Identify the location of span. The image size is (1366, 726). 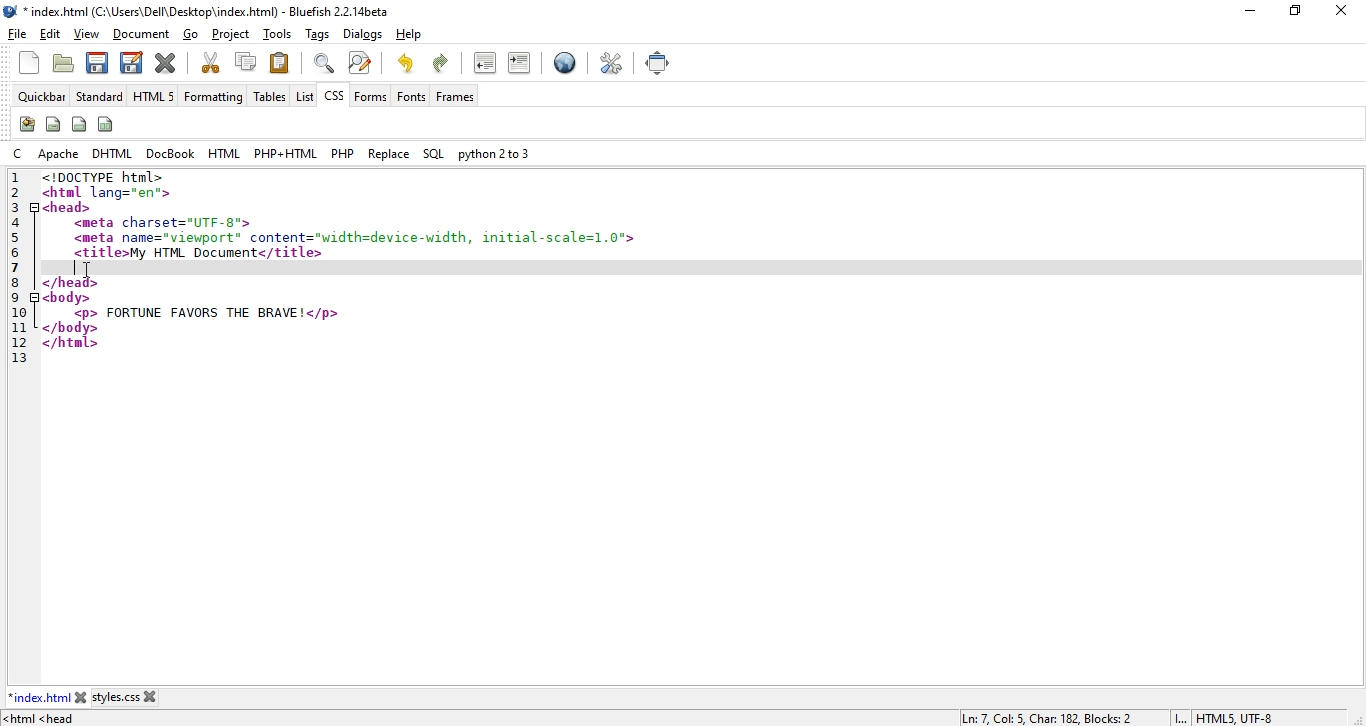
(53, 123).